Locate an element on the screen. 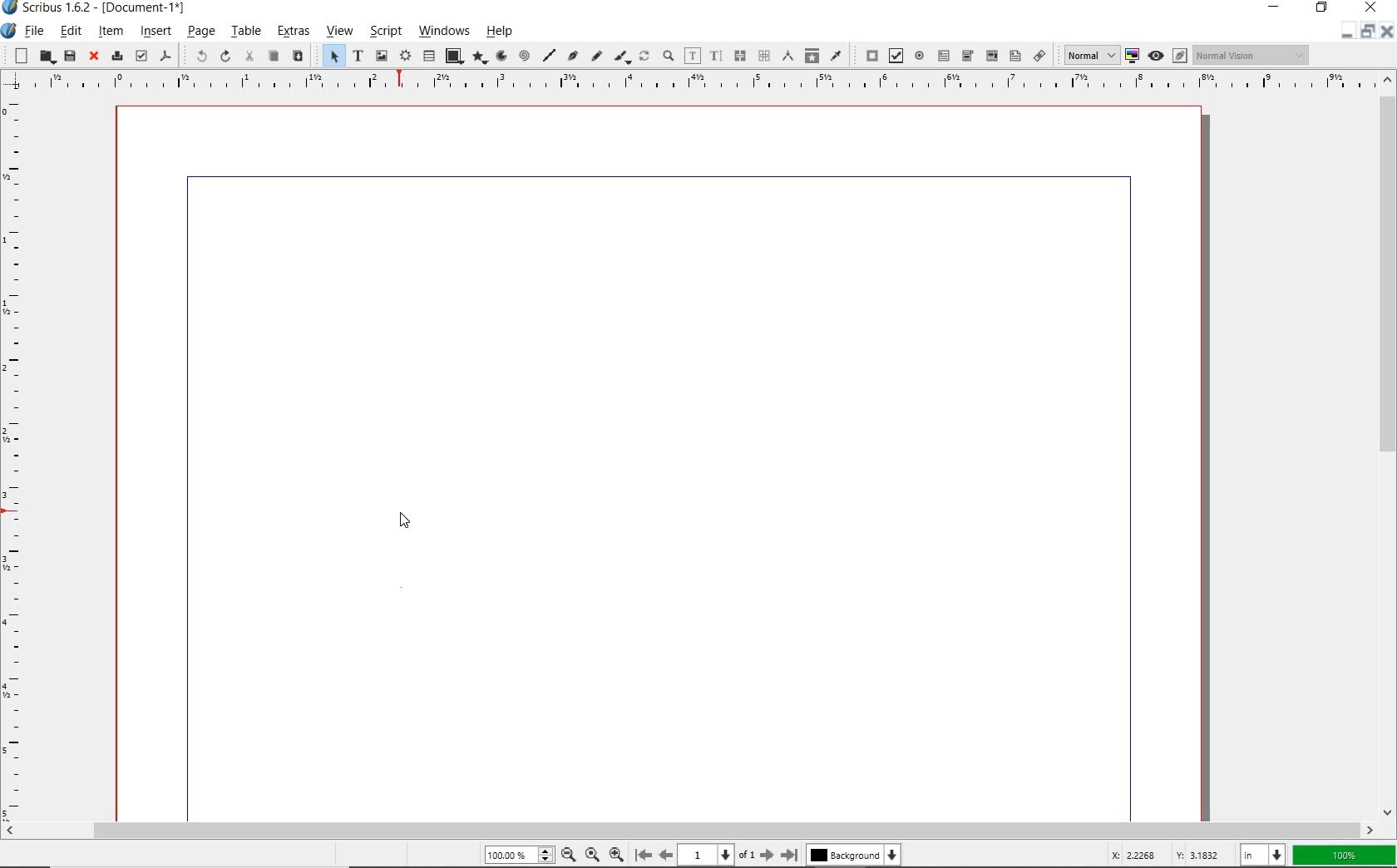 This screenshot has width=1397, height=868. scrollbar is located at coordinates (689, 831).